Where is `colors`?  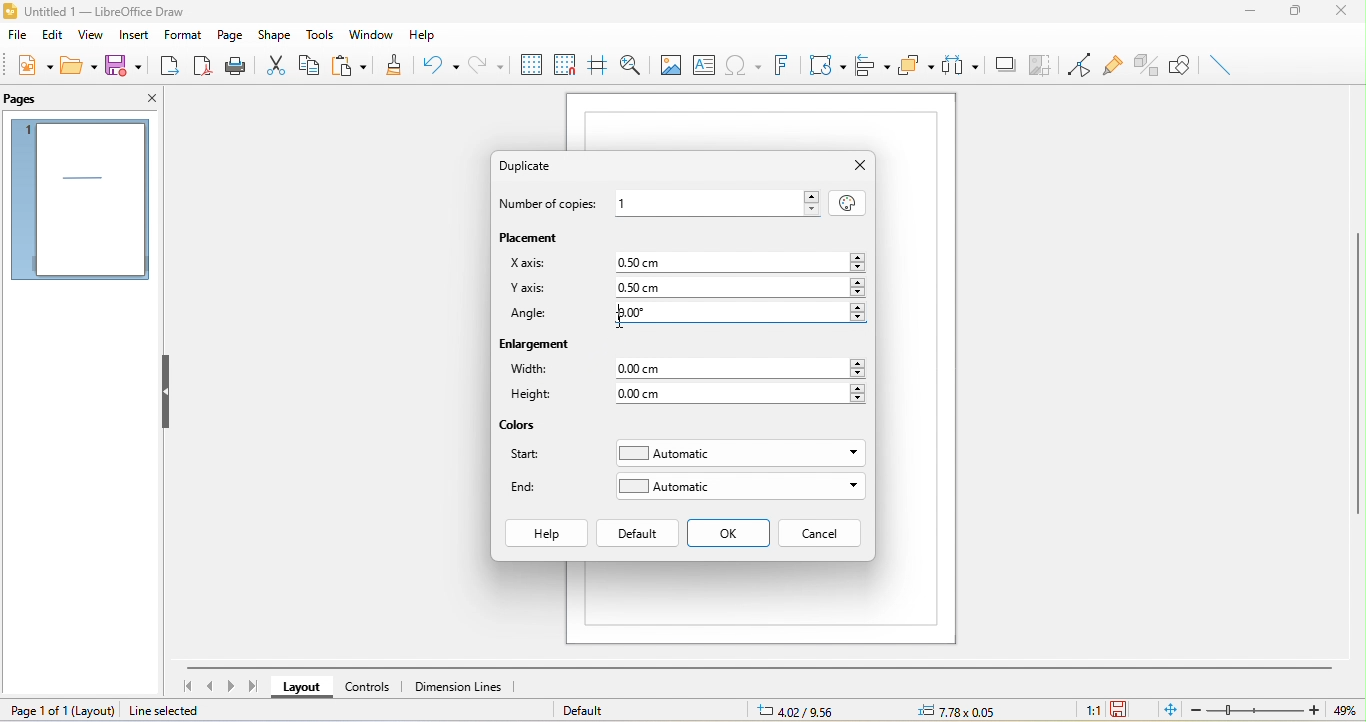 colors is located at coordinates (520, 426).